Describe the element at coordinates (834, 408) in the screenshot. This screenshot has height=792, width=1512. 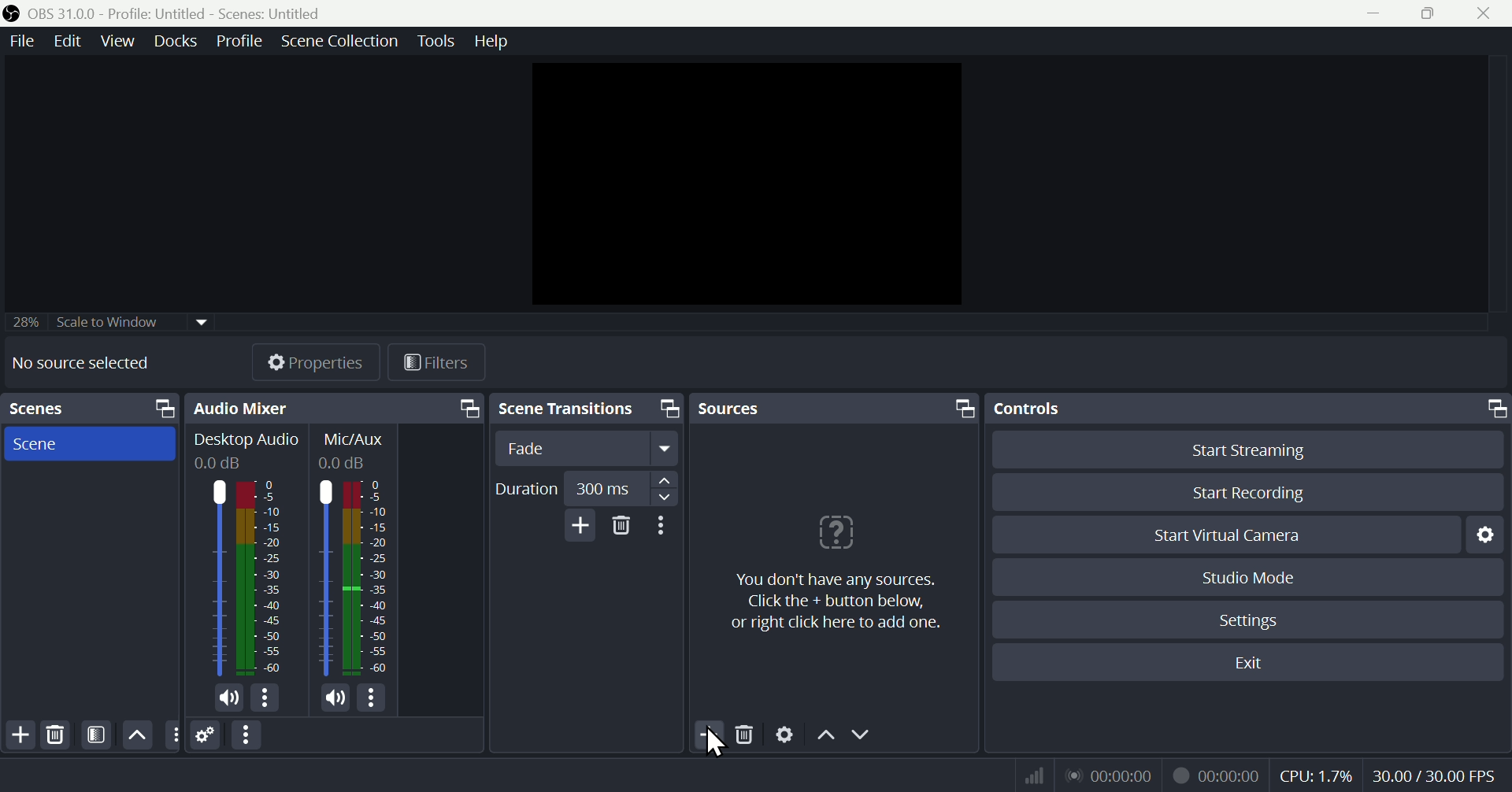
I see `Sources` at that location.